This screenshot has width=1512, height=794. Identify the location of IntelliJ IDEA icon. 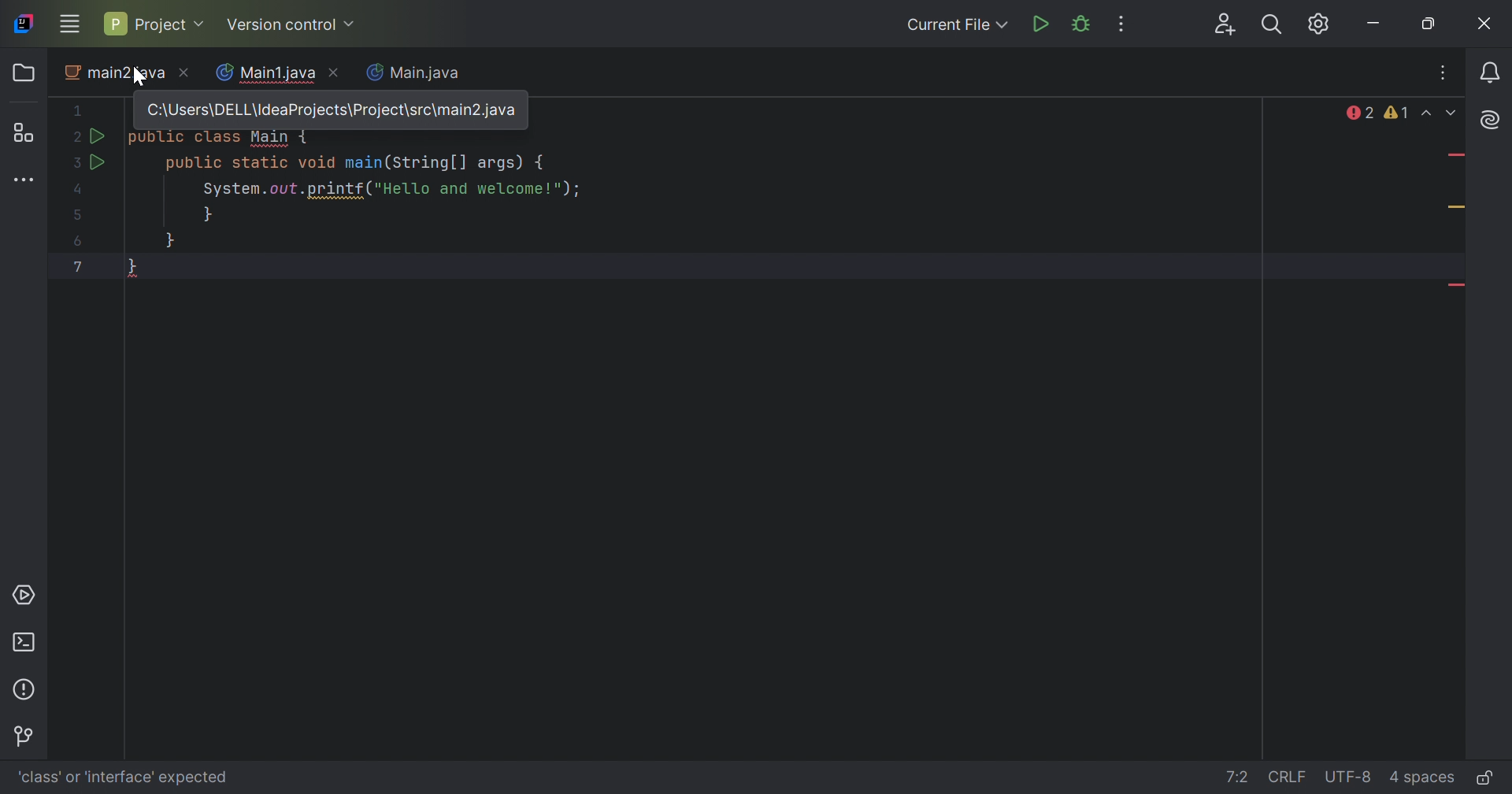
(26, 24).